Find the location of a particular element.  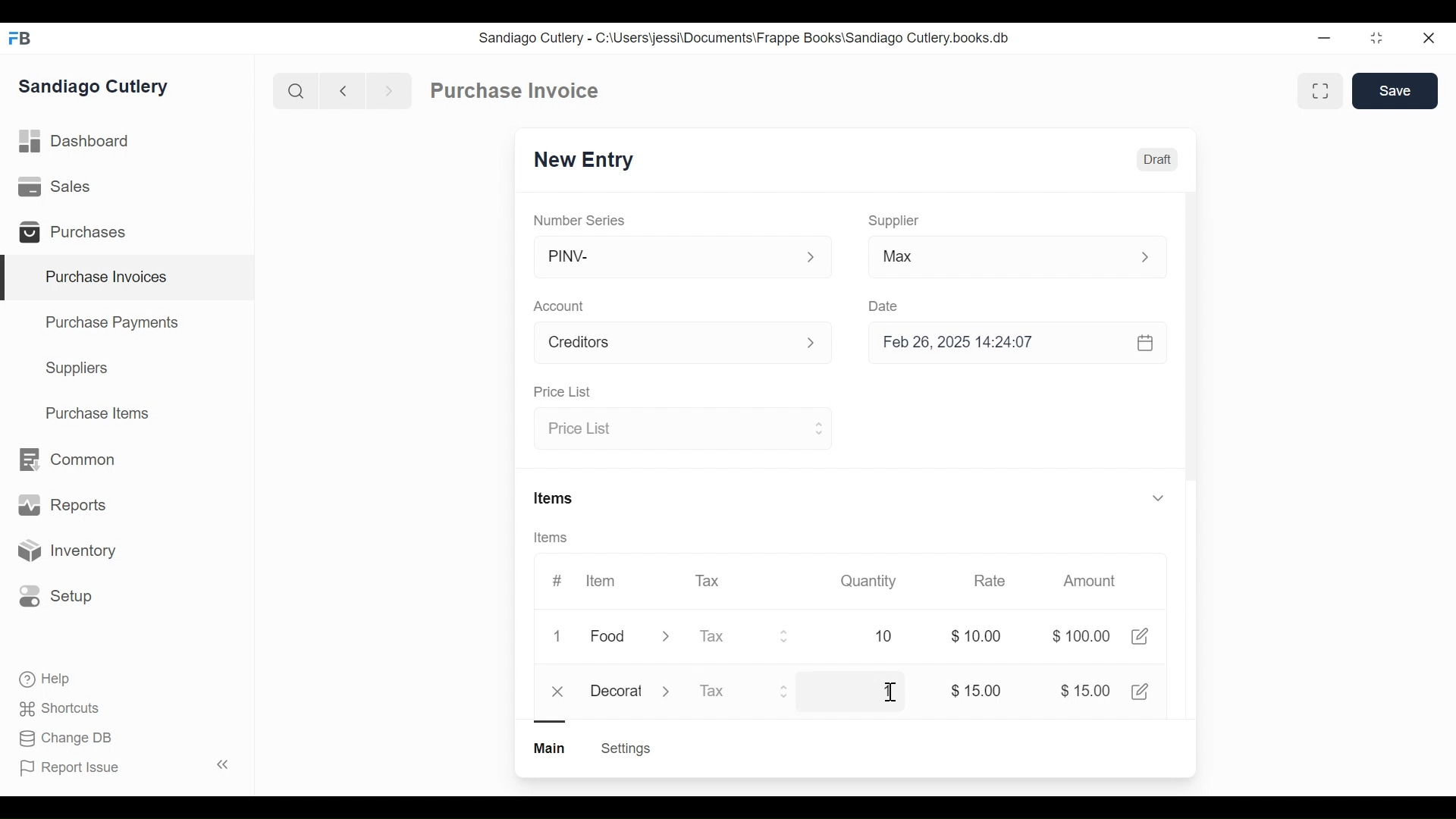

Change DB is located at coordinates (68, 739).